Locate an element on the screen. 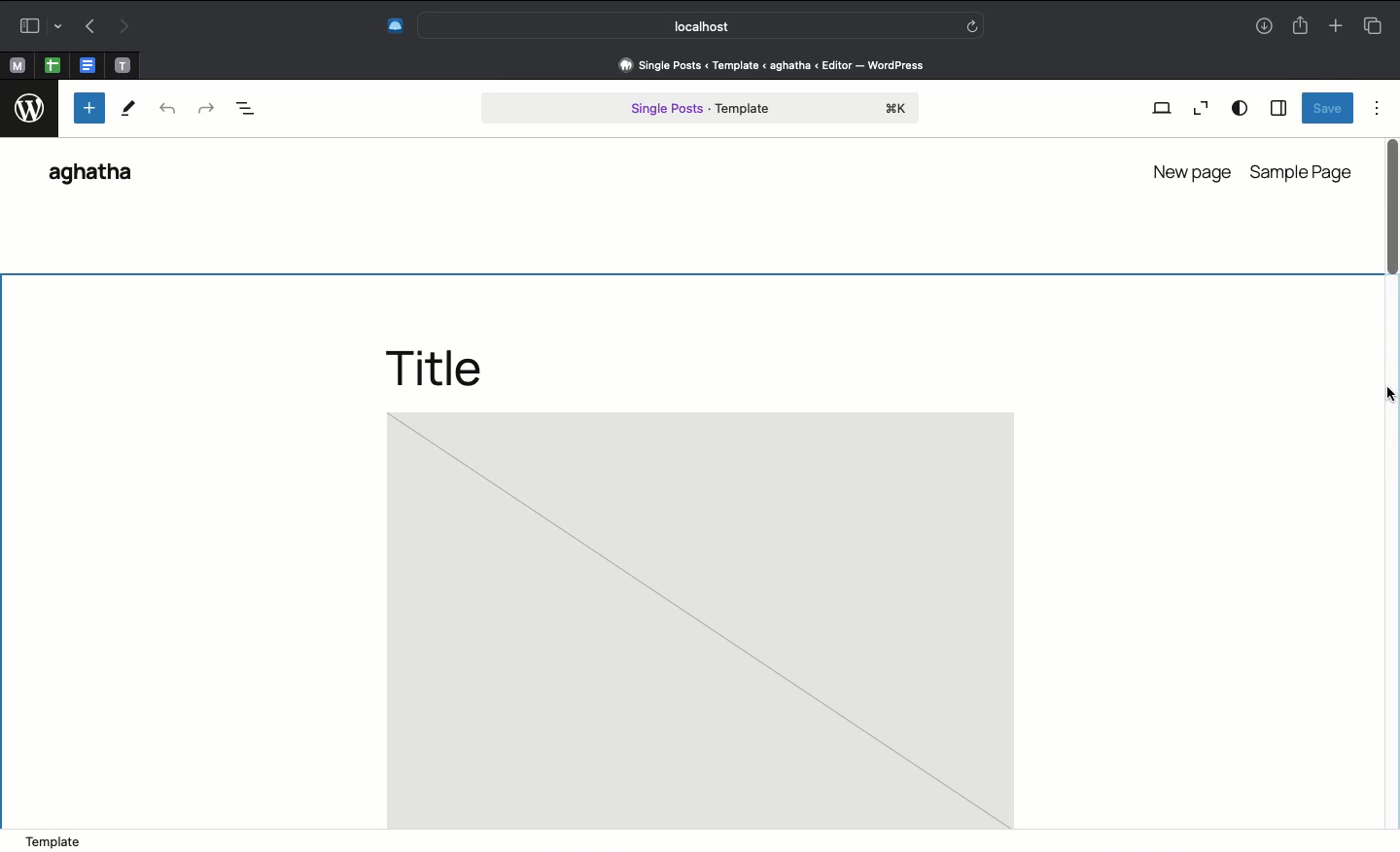  Add new block is located at coordinates (89, 108).